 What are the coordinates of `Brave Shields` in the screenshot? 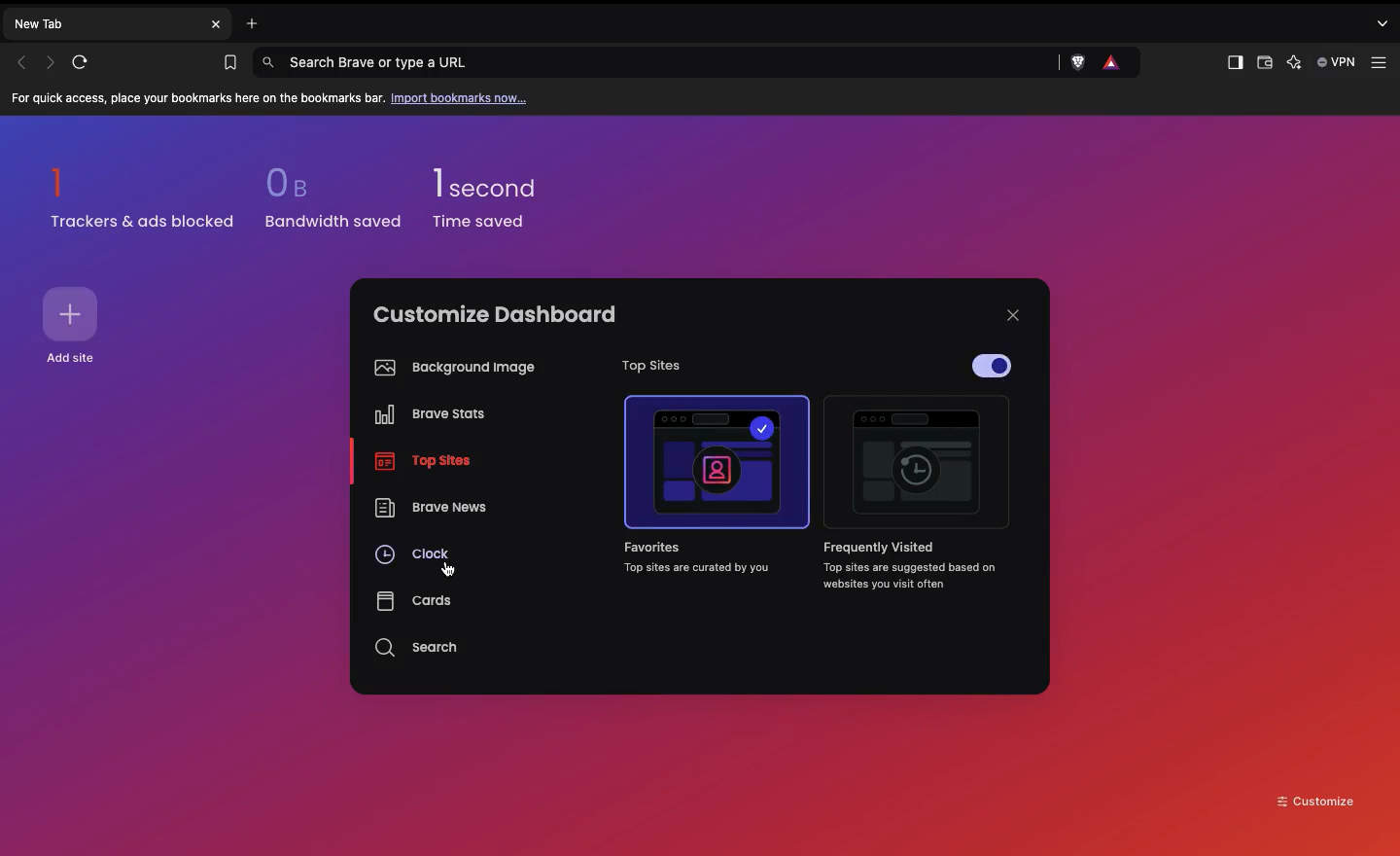 It's located at (1074, 63).